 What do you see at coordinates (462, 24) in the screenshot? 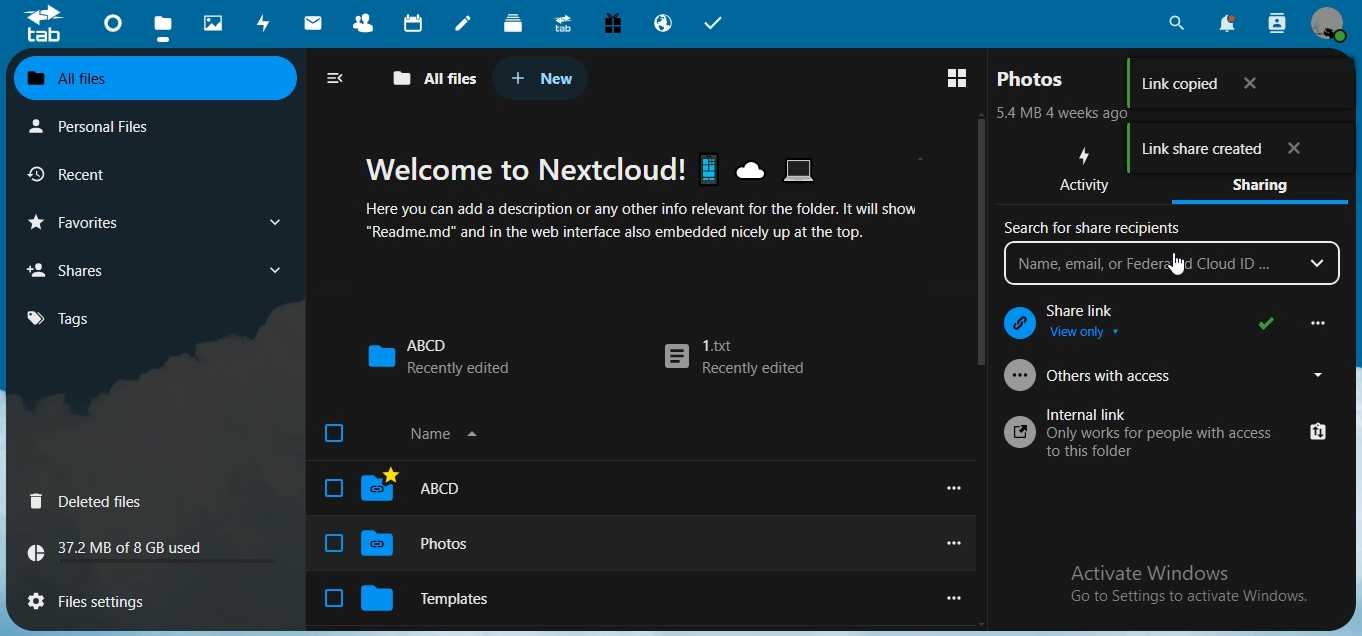
I see `notes` at bounding box center [462, 24].